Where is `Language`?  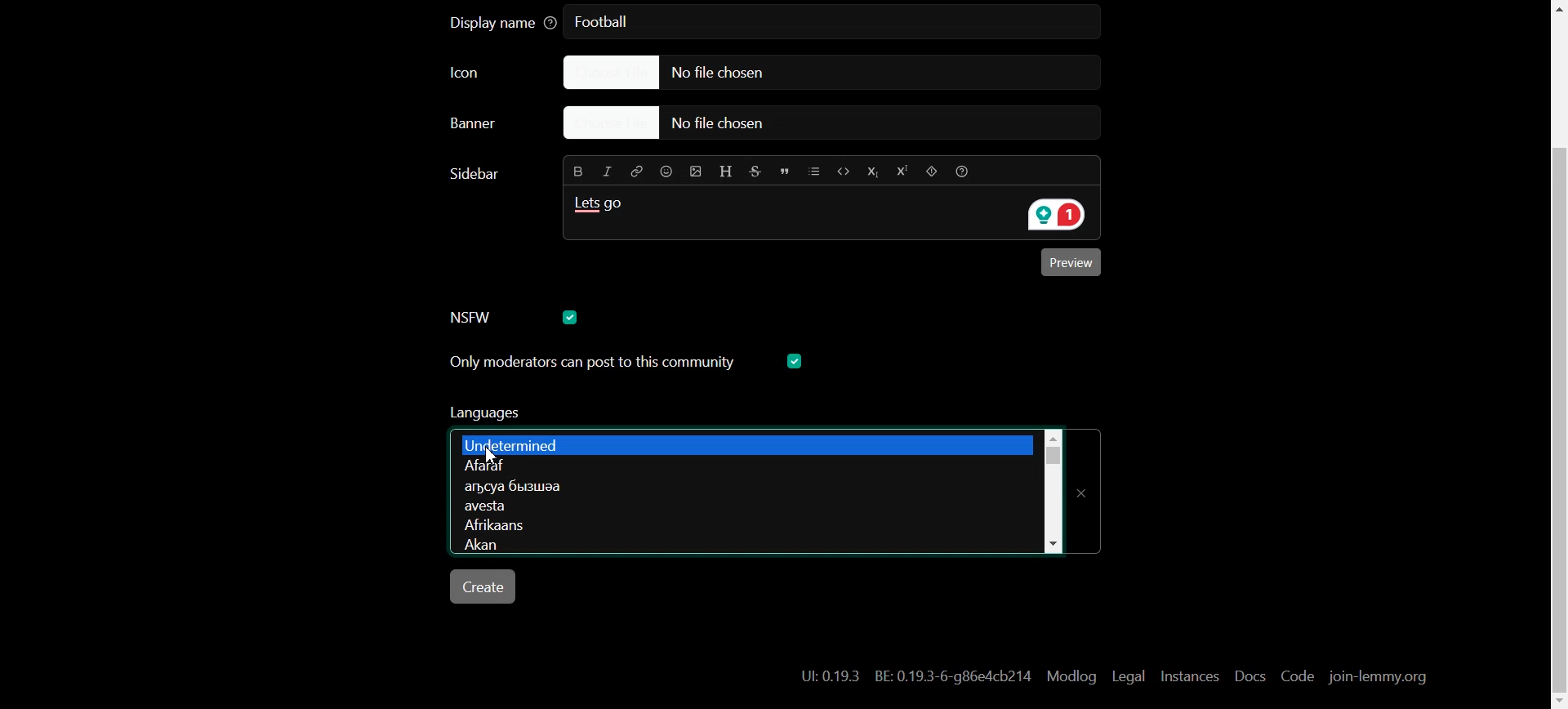
Language is located at coordinates (739, 487).